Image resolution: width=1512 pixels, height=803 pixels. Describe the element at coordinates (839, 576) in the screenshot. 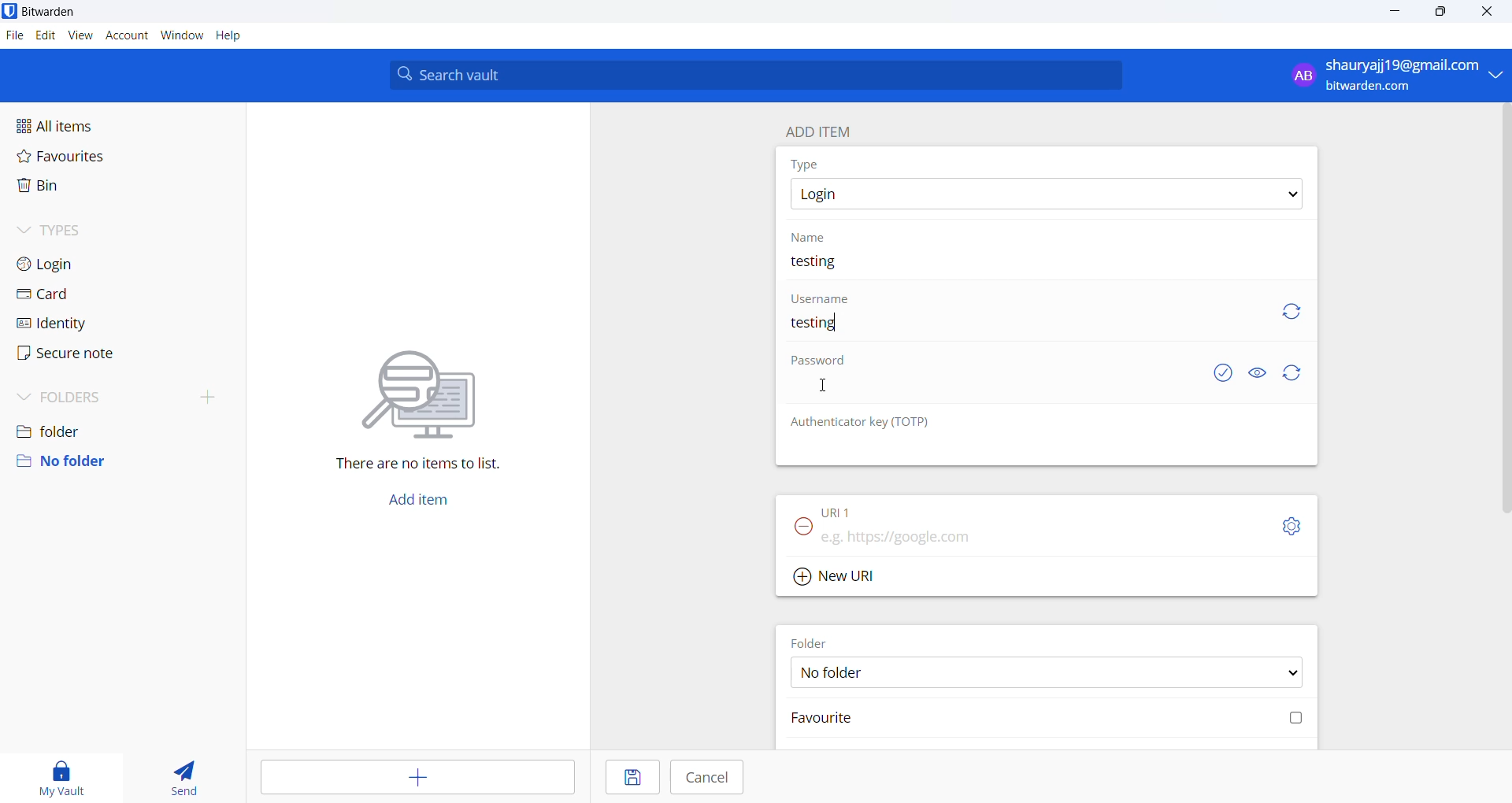

I see `Add new URL` at that location.